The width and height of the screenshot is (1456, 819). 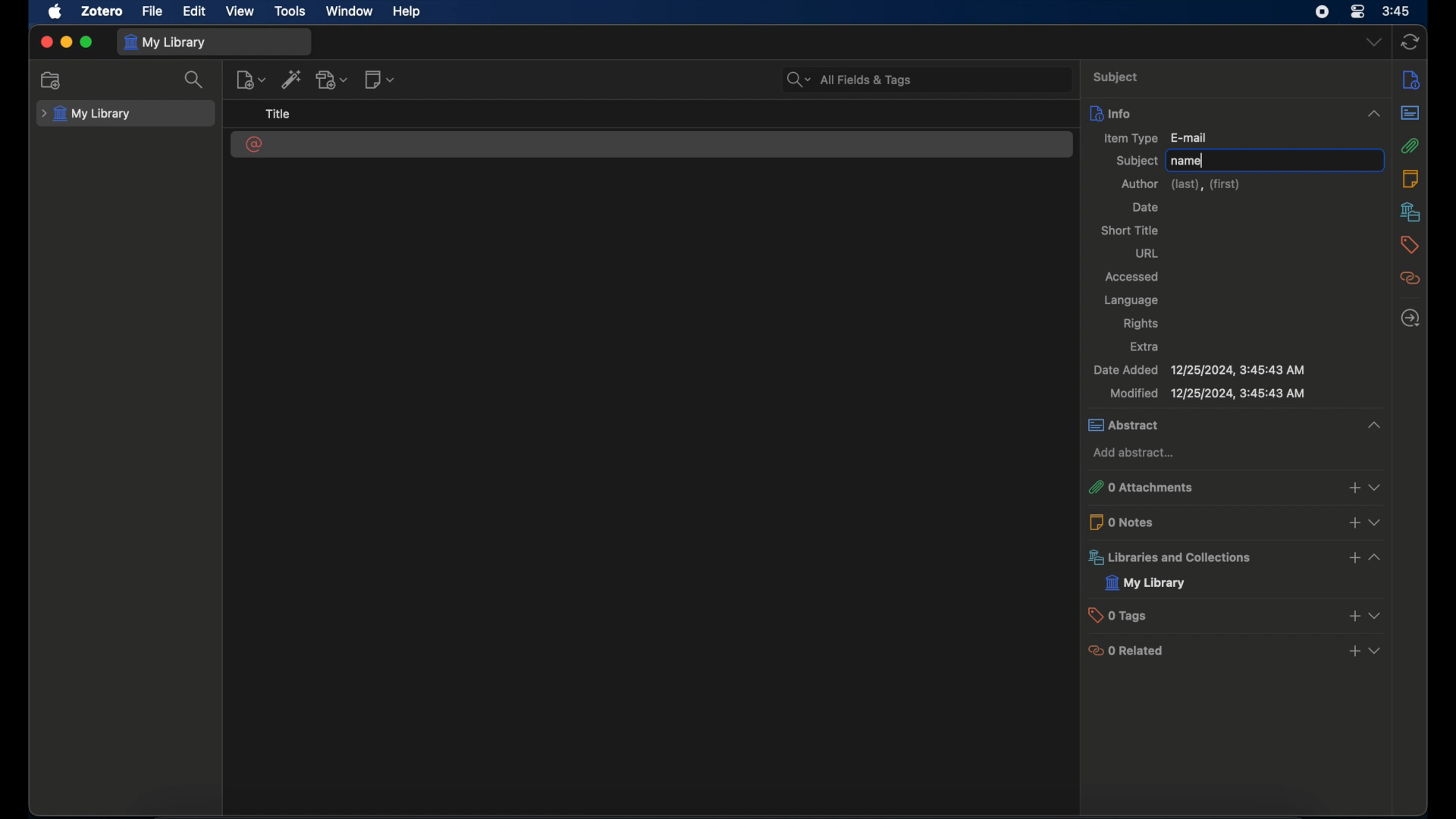 I want to click on 0 notes, so click(x=1238, y=521).